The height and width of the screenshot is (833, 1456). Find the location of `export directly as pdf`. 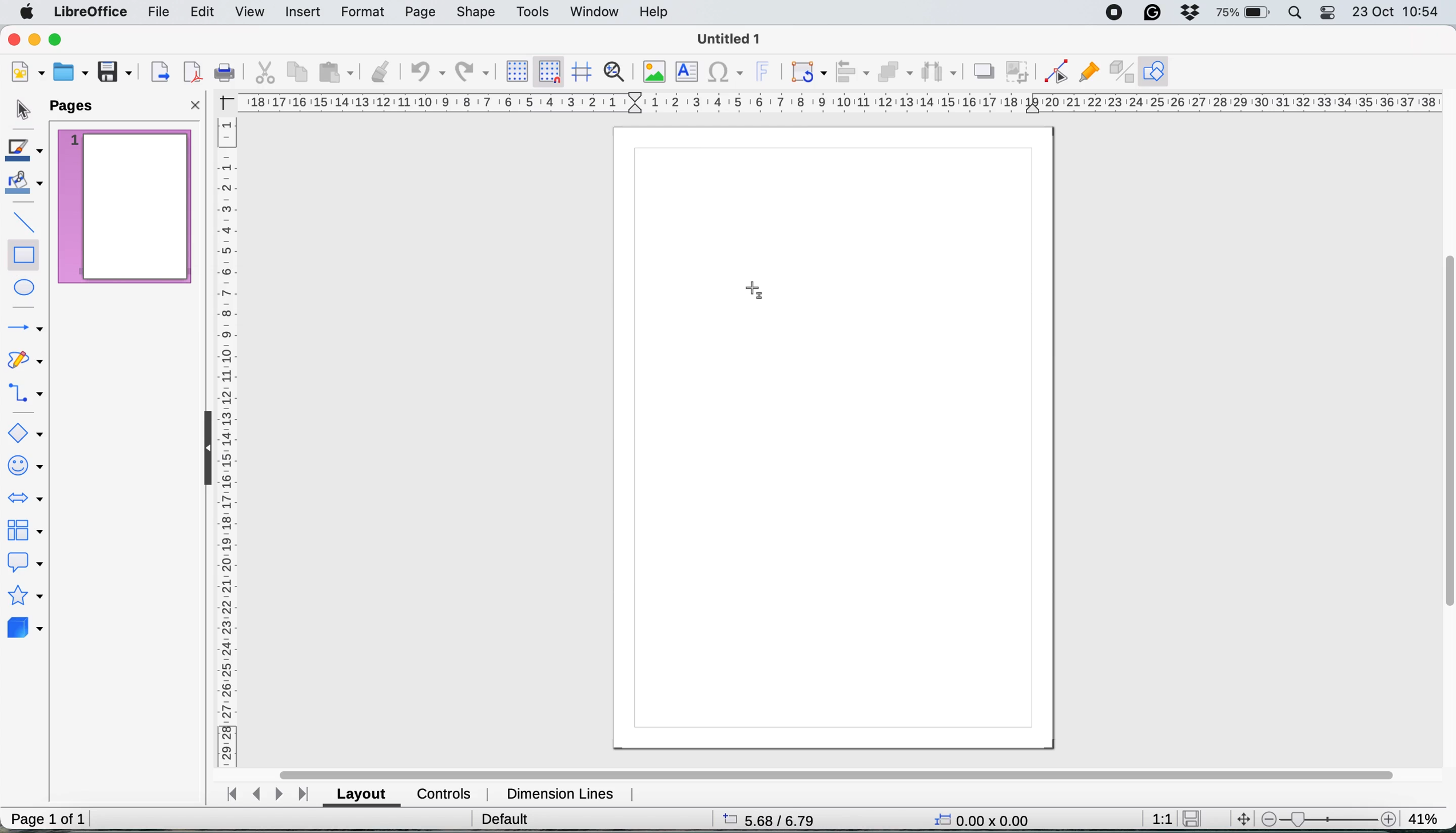

export directly as pdf is located at coordinates (193, 73).